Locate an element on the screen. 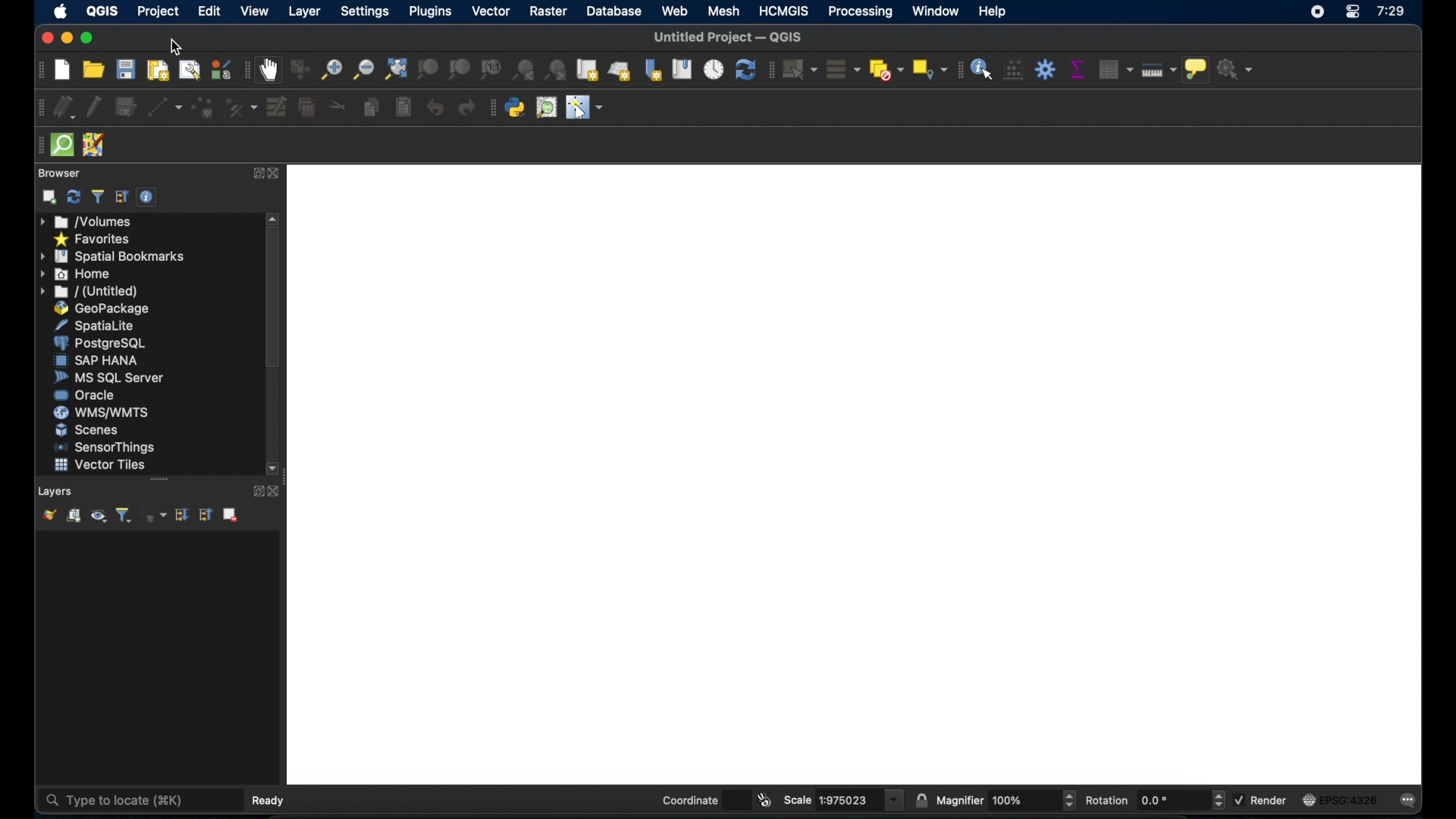 The height and width of the screenshot is (819, 1456). scale is located at coordinates (799, 799).